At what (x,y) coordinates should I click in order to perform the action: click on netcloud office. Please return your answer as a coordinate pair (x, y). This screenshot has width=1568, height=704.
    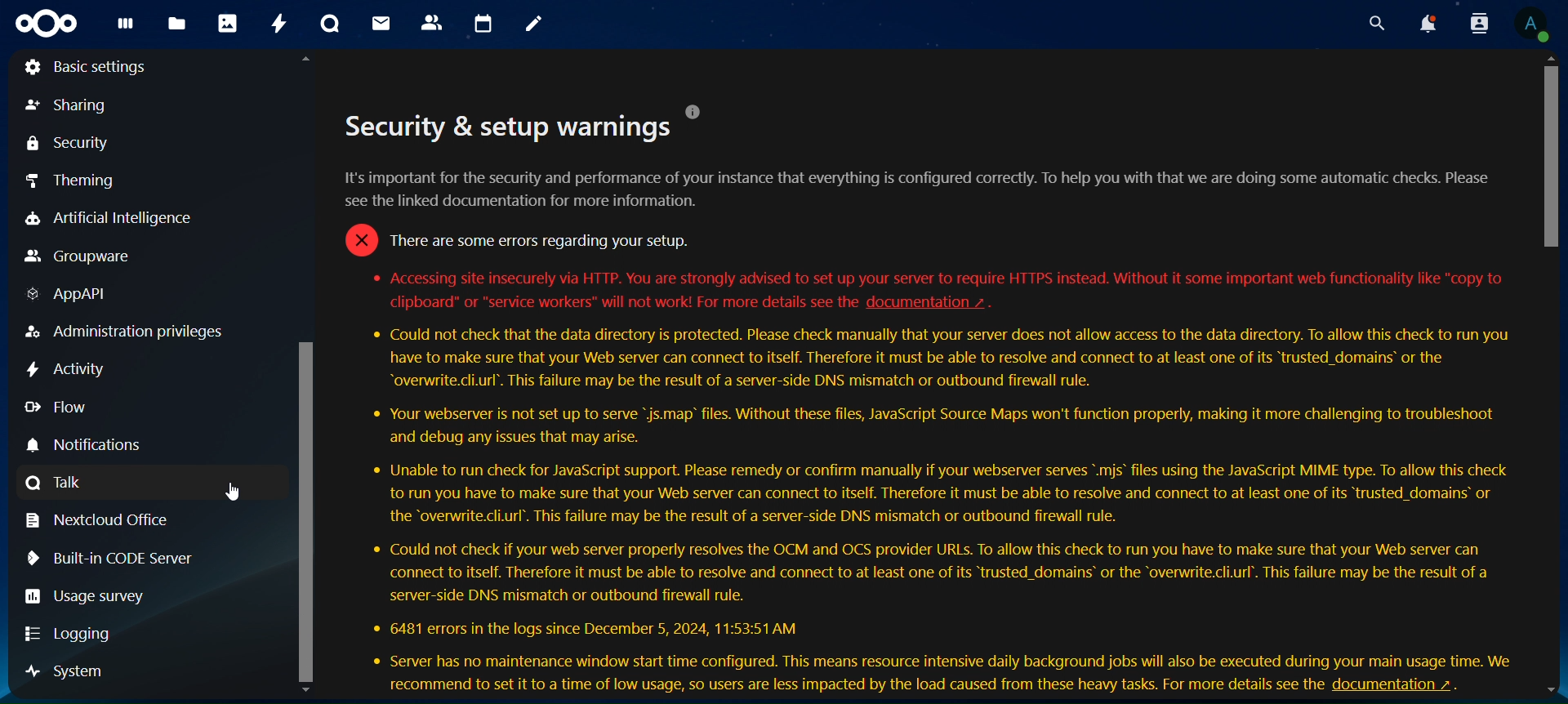
    Looking at the image, I should click on (109, 520).